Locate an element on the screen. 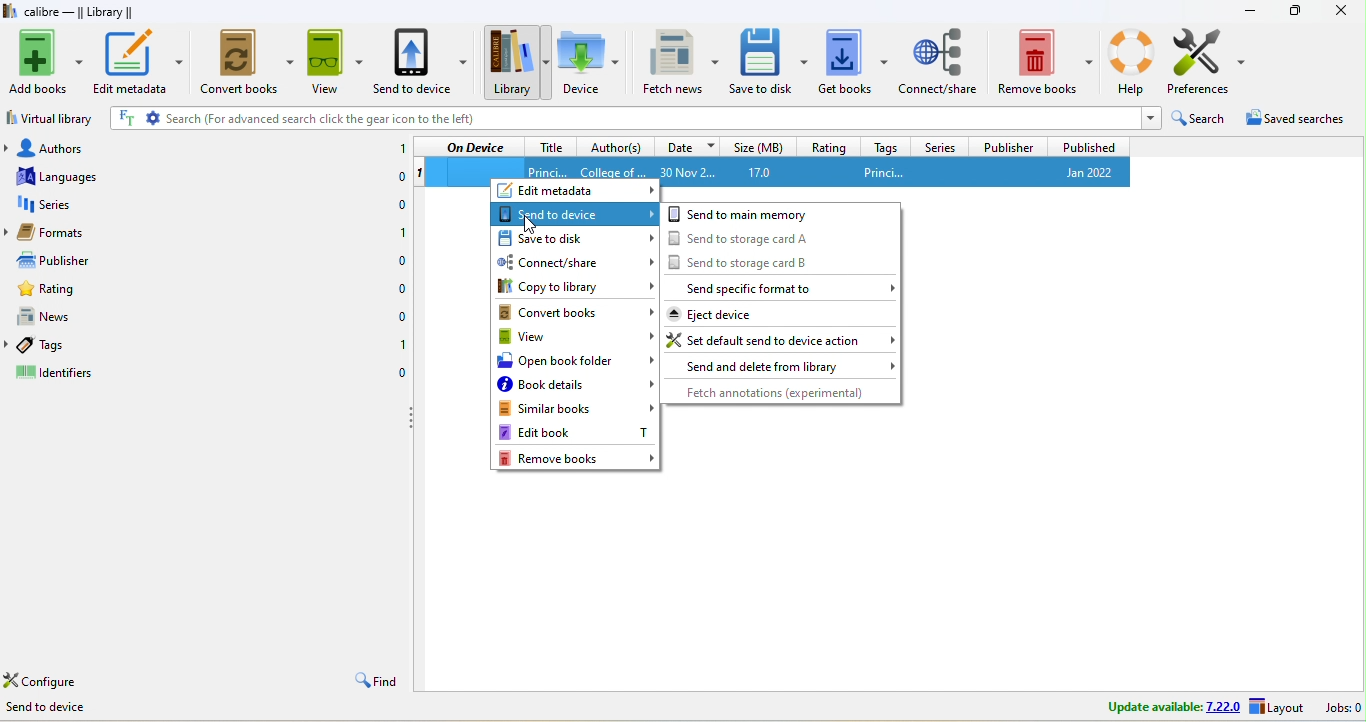  1 is located at coordinates (420, 173).